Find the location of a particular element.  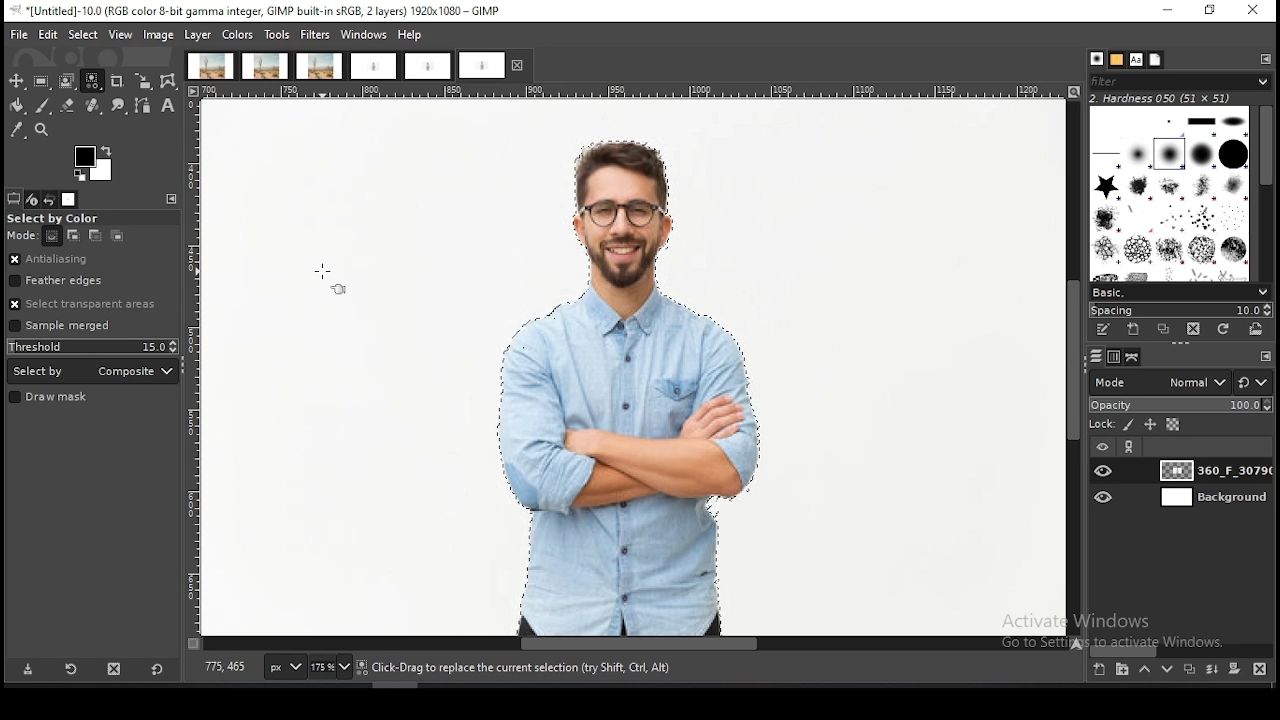

scroll bar is located at coordinates (1074, 368).